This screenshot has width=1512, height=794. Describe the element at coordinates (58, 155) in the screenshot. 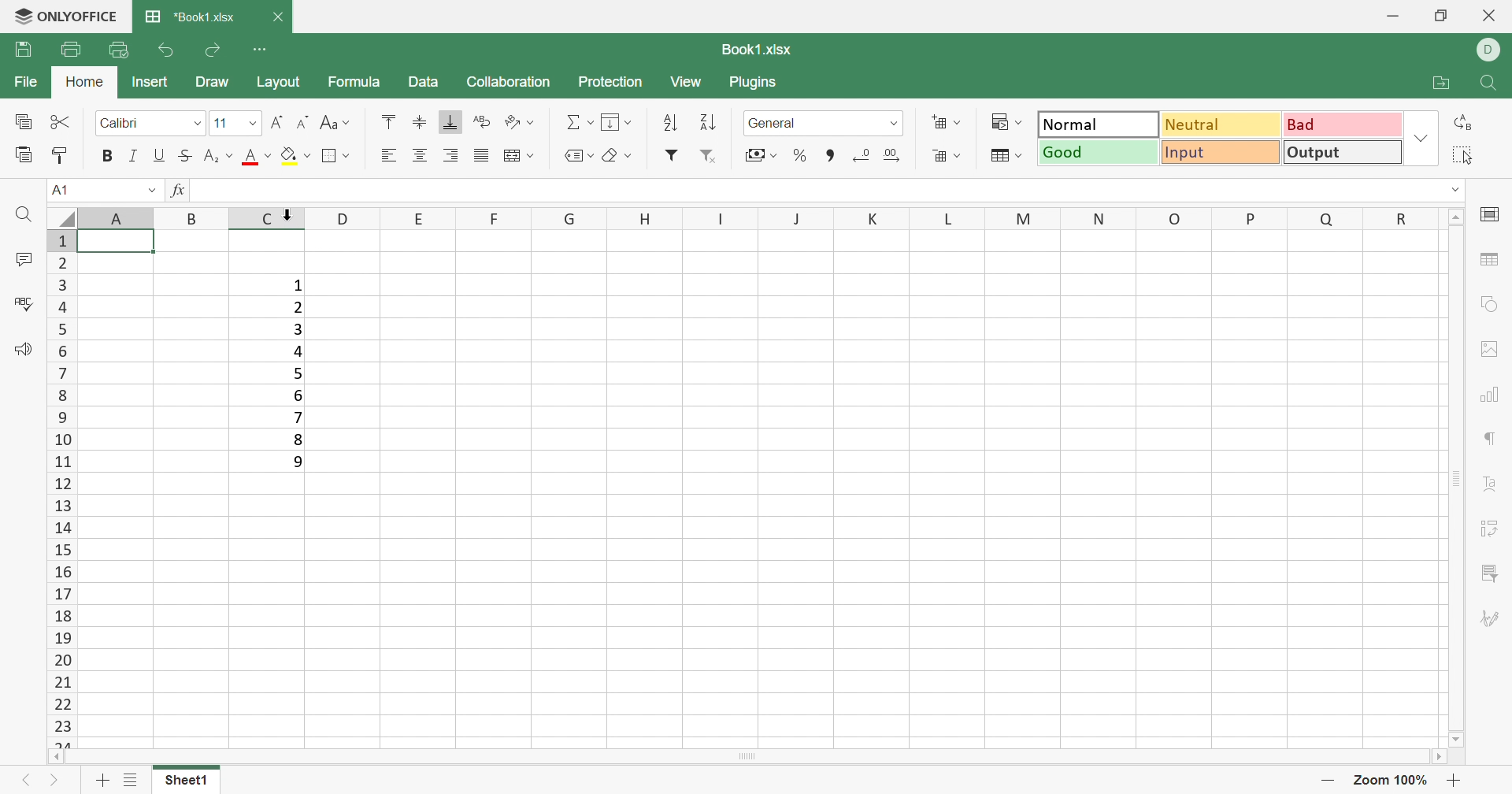

I see `Copy Style` at that location.